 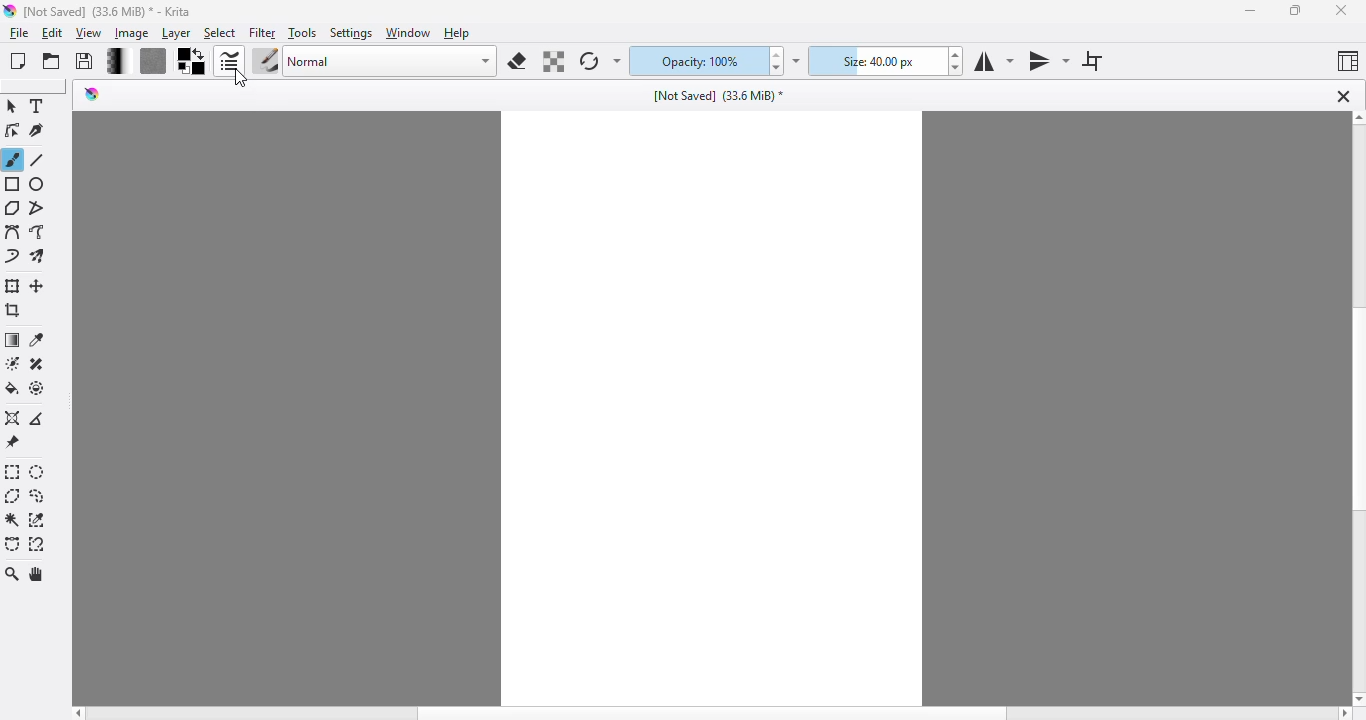 I want to click on select, so click(x=220, y=34).